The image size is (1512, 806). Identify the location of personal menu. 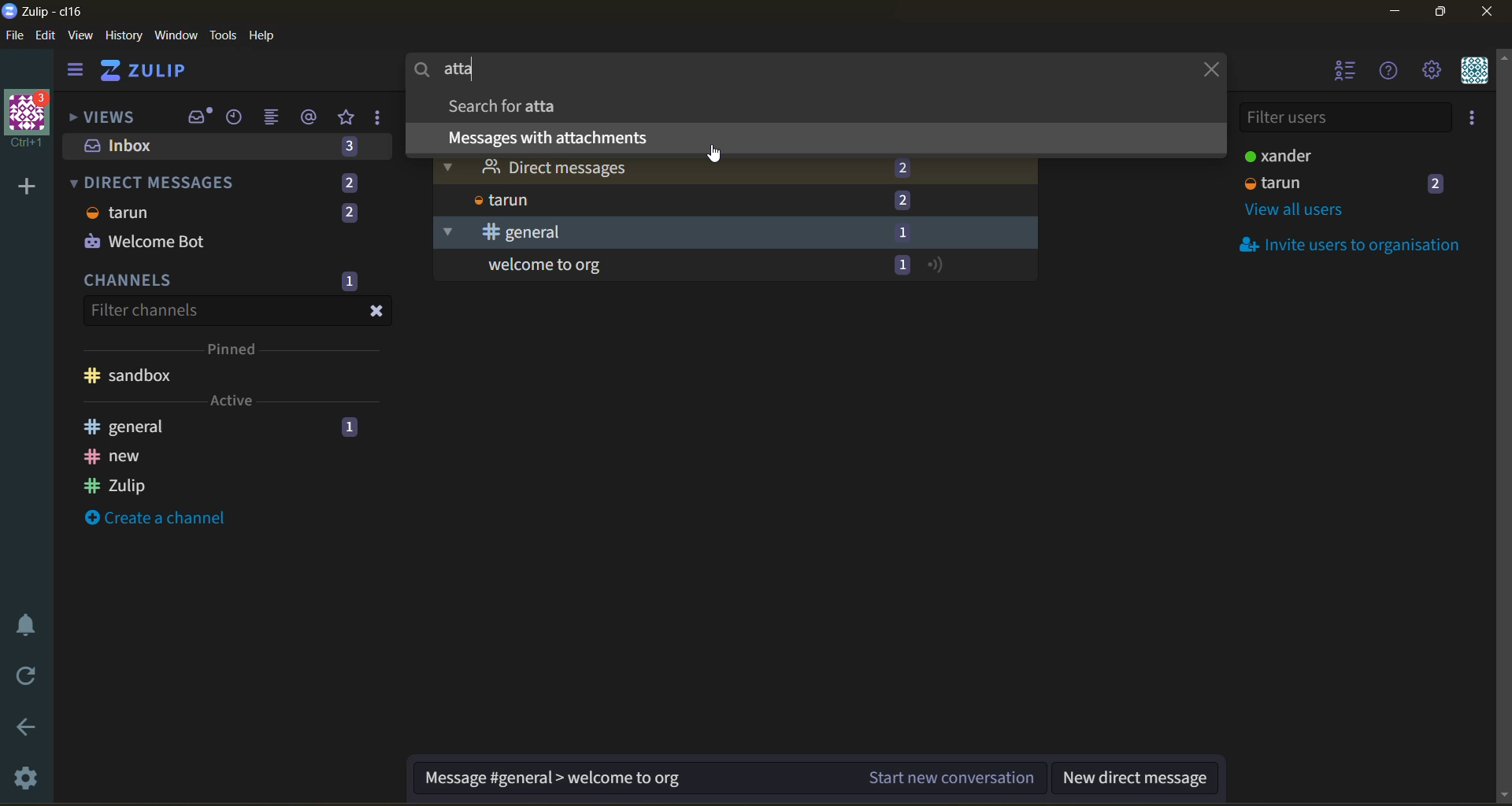
(1475, 71).